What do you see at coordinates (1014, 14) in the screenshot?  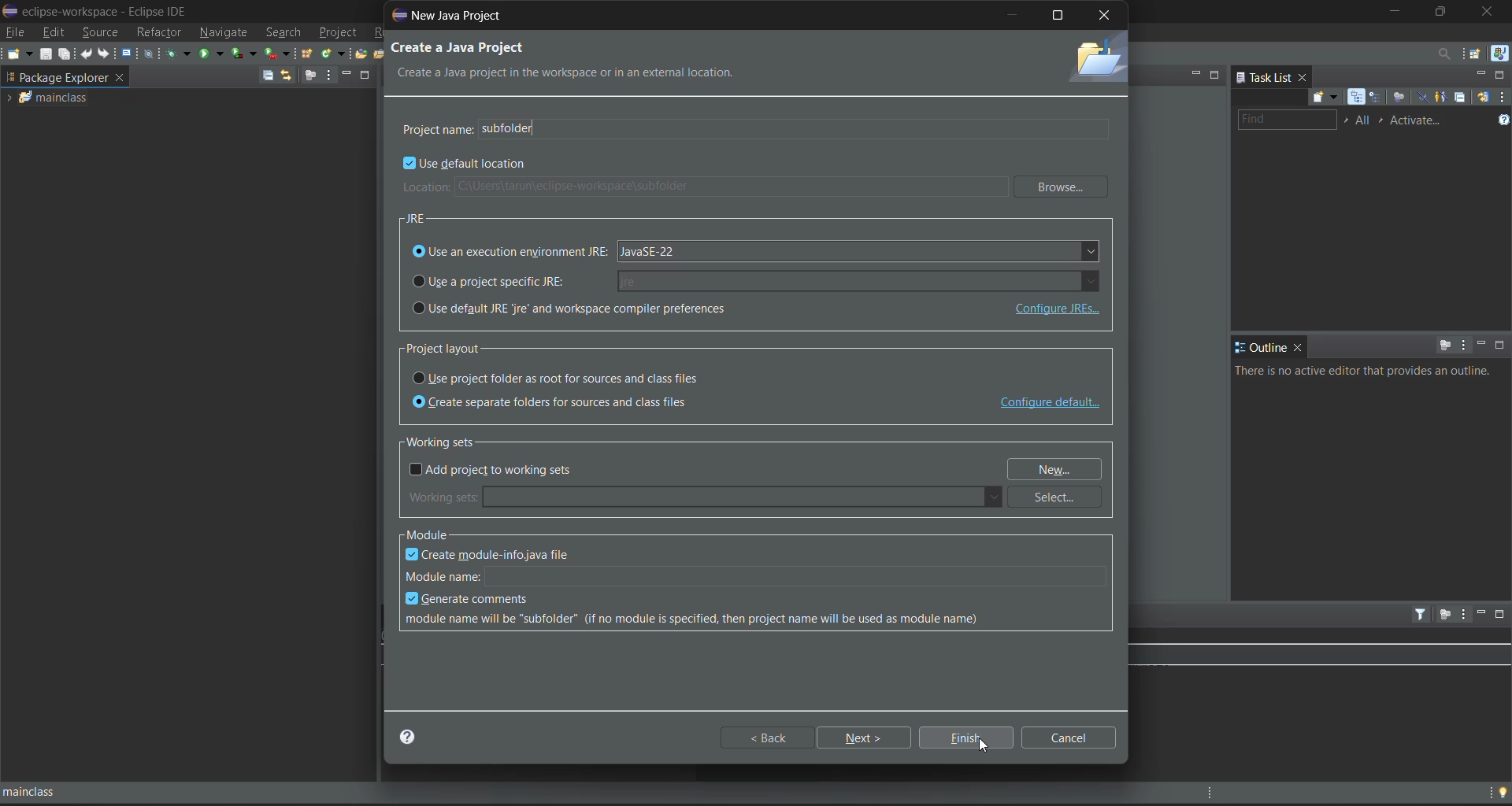 I see `minimize` at bounding box center [1014, 14].